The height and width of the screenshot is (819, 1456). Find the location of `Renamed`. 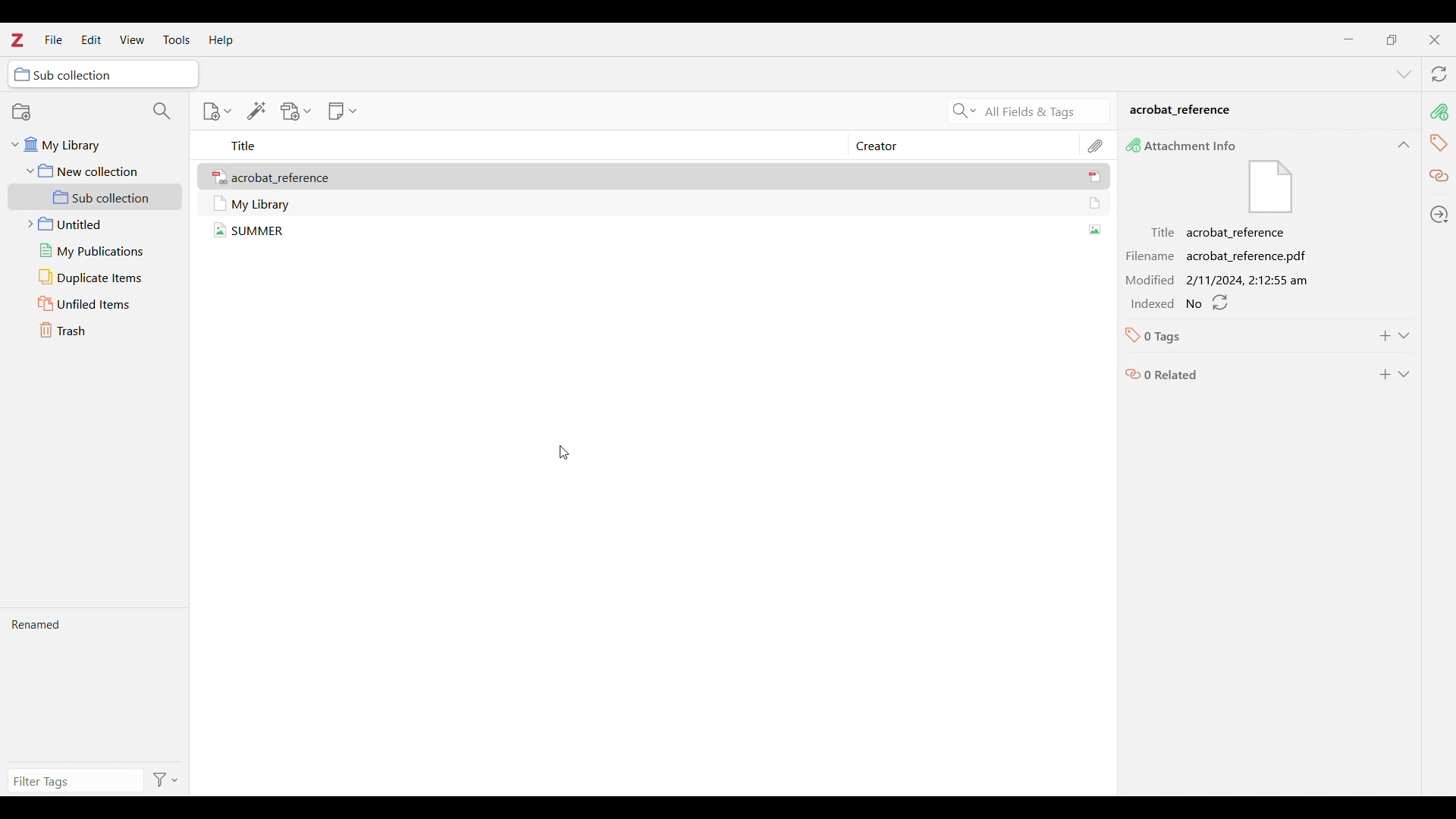

Renamed is located at coordinates (96, 688).